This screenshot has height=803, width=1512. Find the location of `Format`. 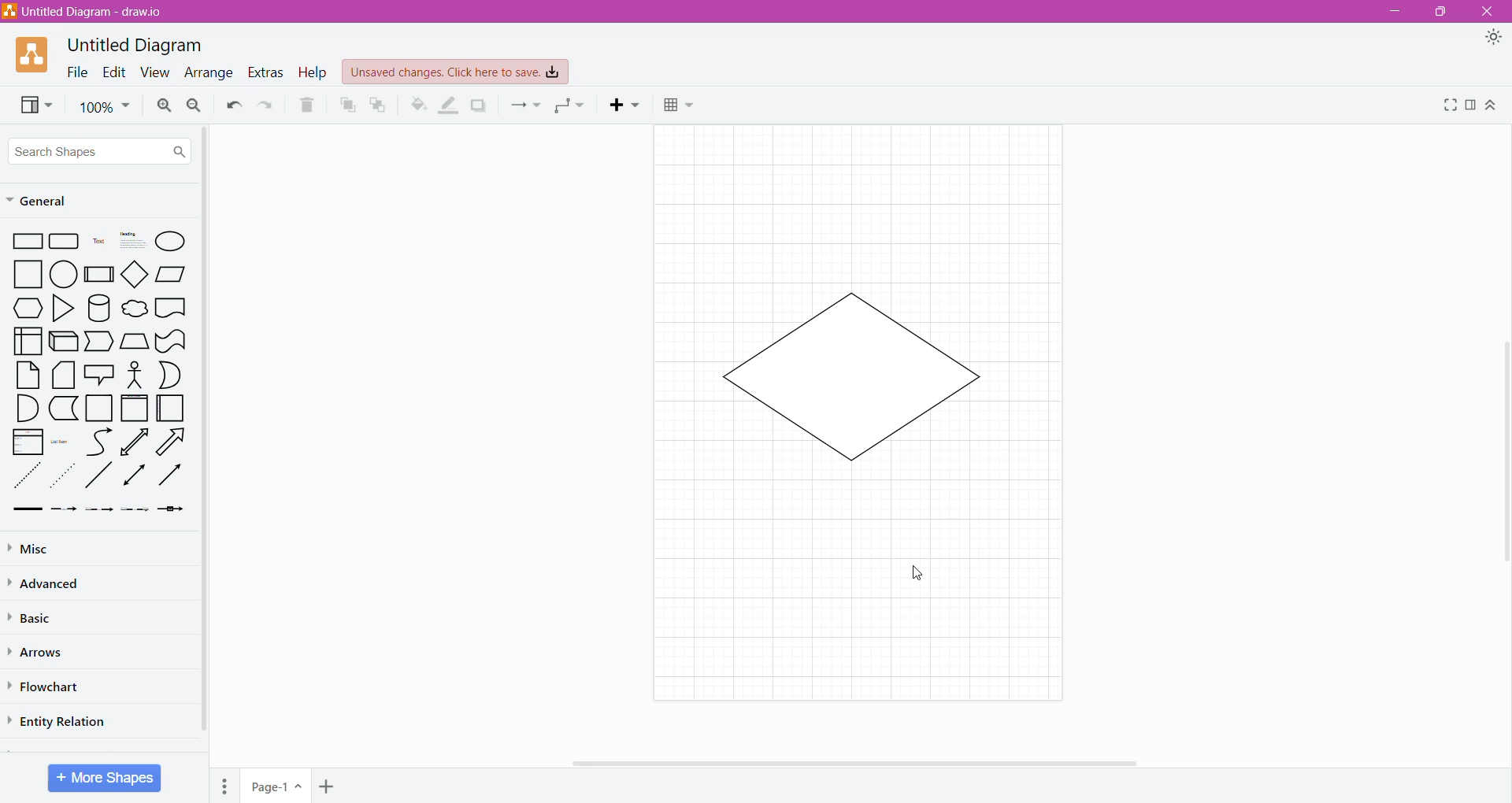

Format is located at coordinates (1471, 106).